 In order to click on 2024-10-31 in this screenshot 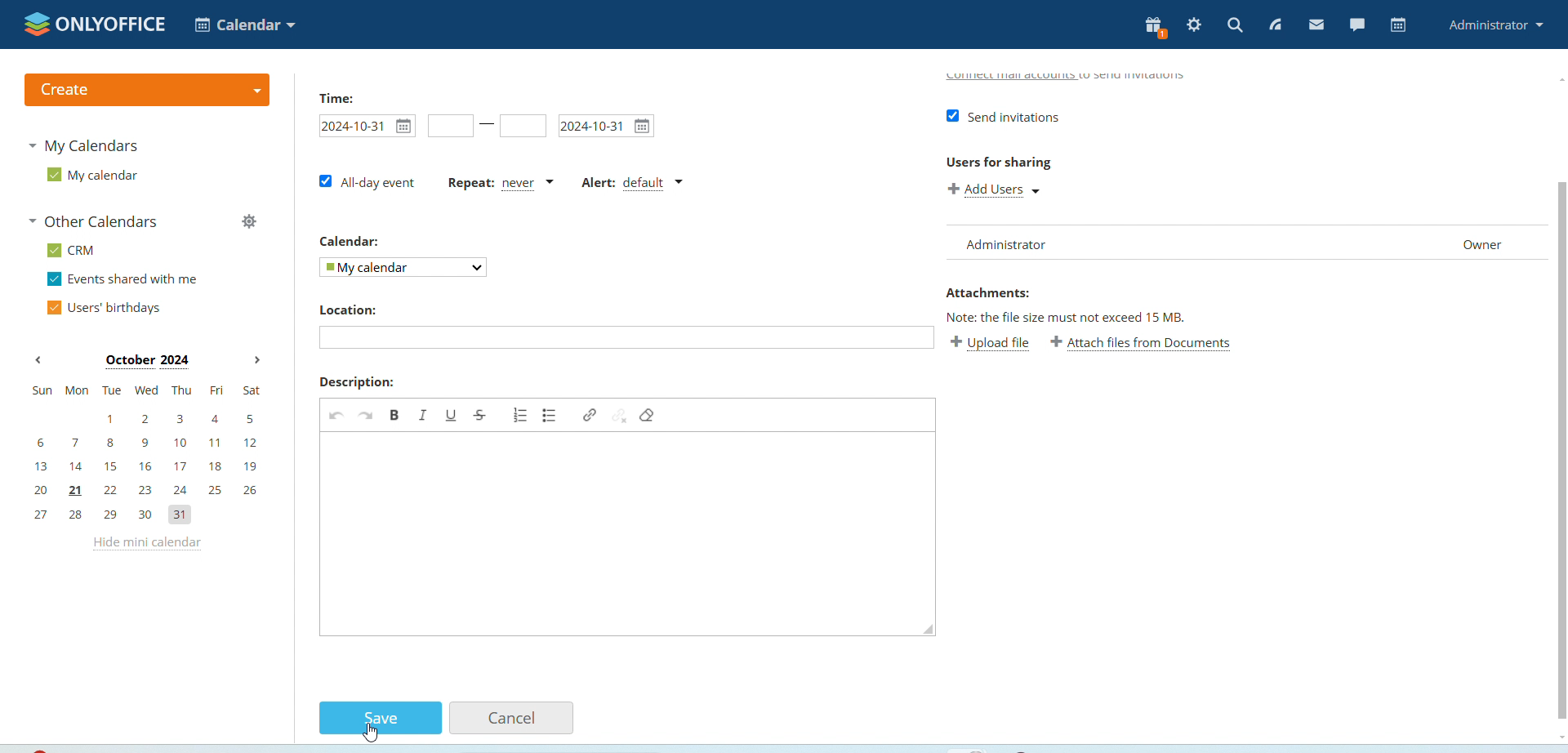, I will do `click(607, 126)`.